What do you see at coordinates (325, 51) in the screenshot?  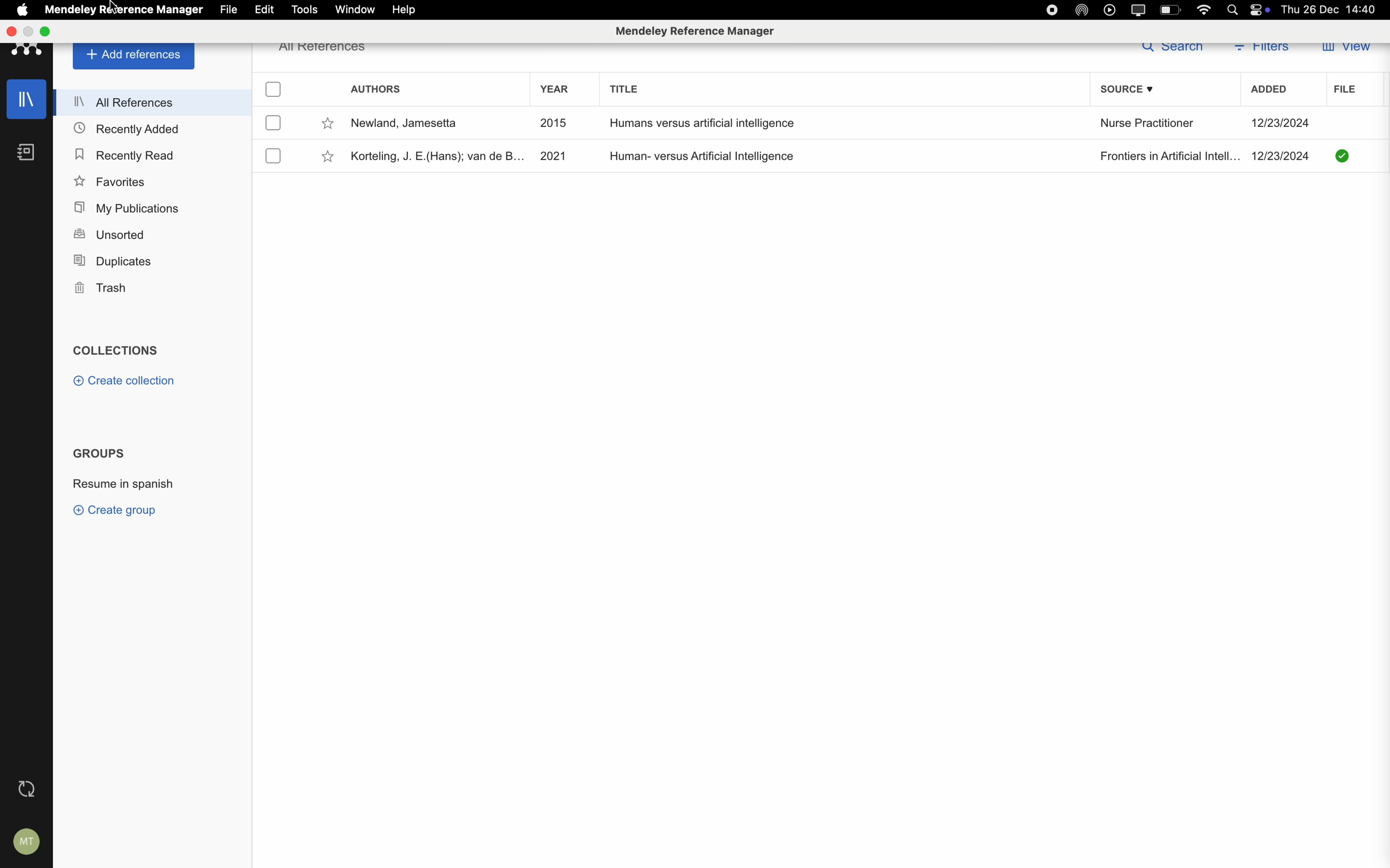 I see `all references` at bounding box center [325, 51].